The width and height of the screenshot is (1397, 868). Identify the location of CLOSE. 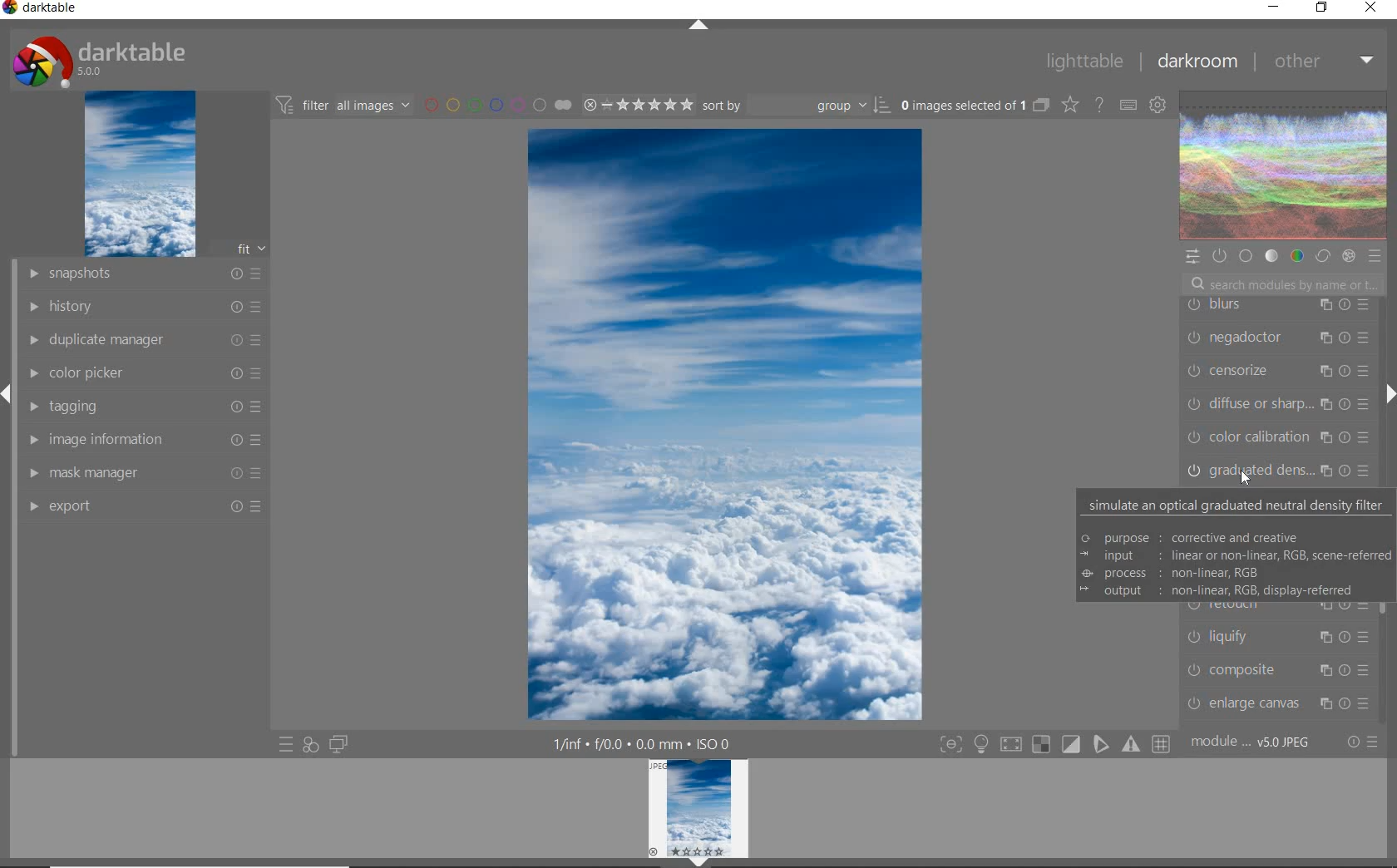
(1371, 8).